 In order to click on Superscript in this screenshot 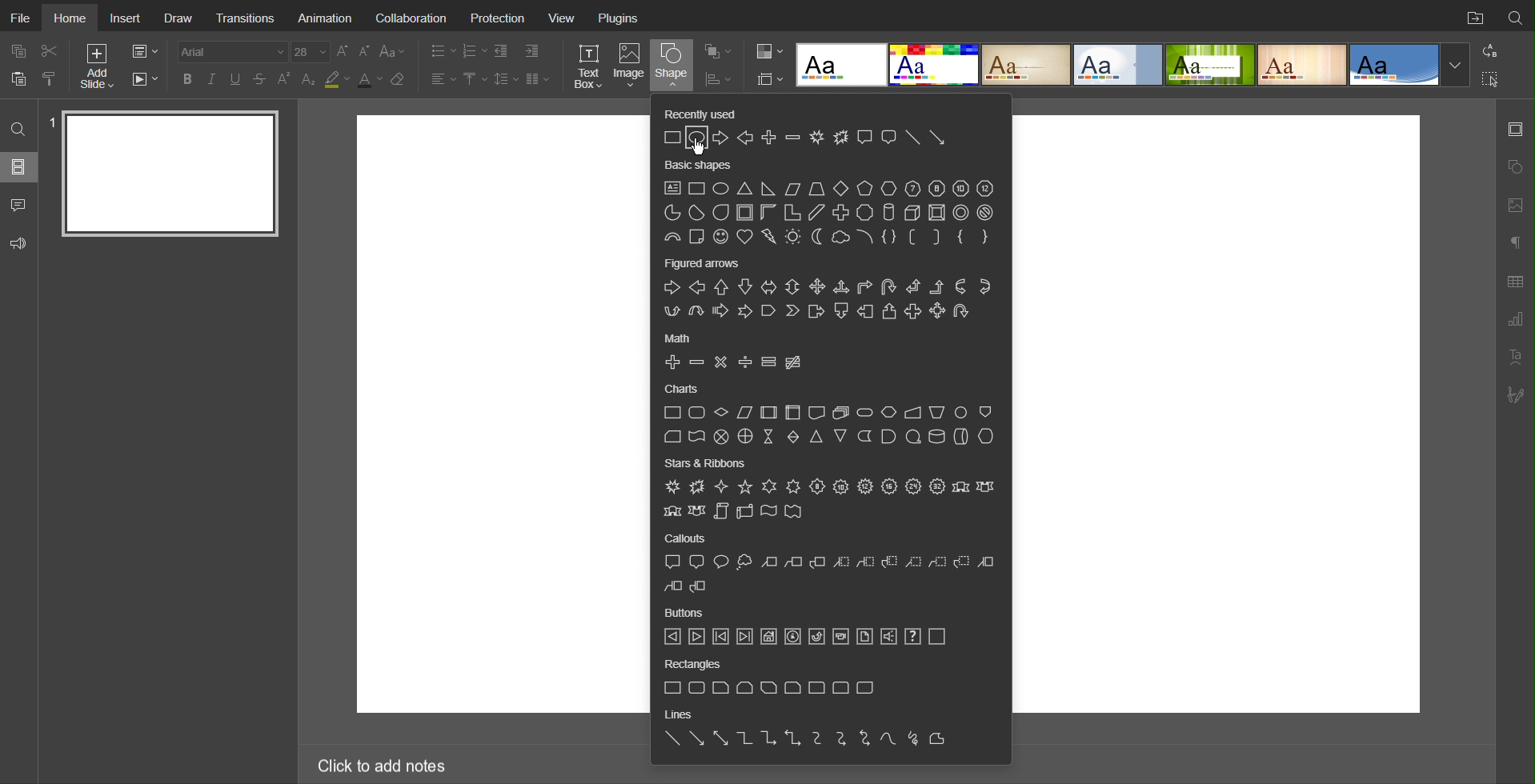, I will do `click(285, 79)`.